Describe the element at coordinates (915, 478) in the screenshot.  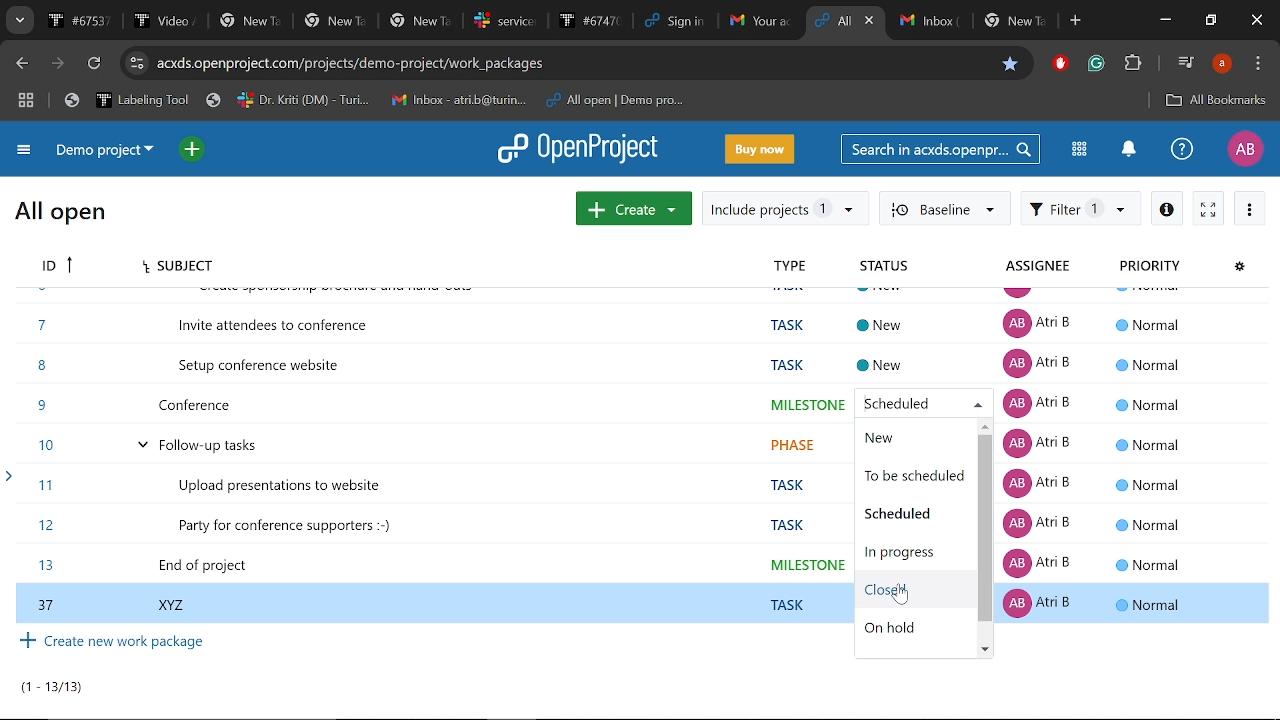
I see `Project status "To be scheduled"` at that location.